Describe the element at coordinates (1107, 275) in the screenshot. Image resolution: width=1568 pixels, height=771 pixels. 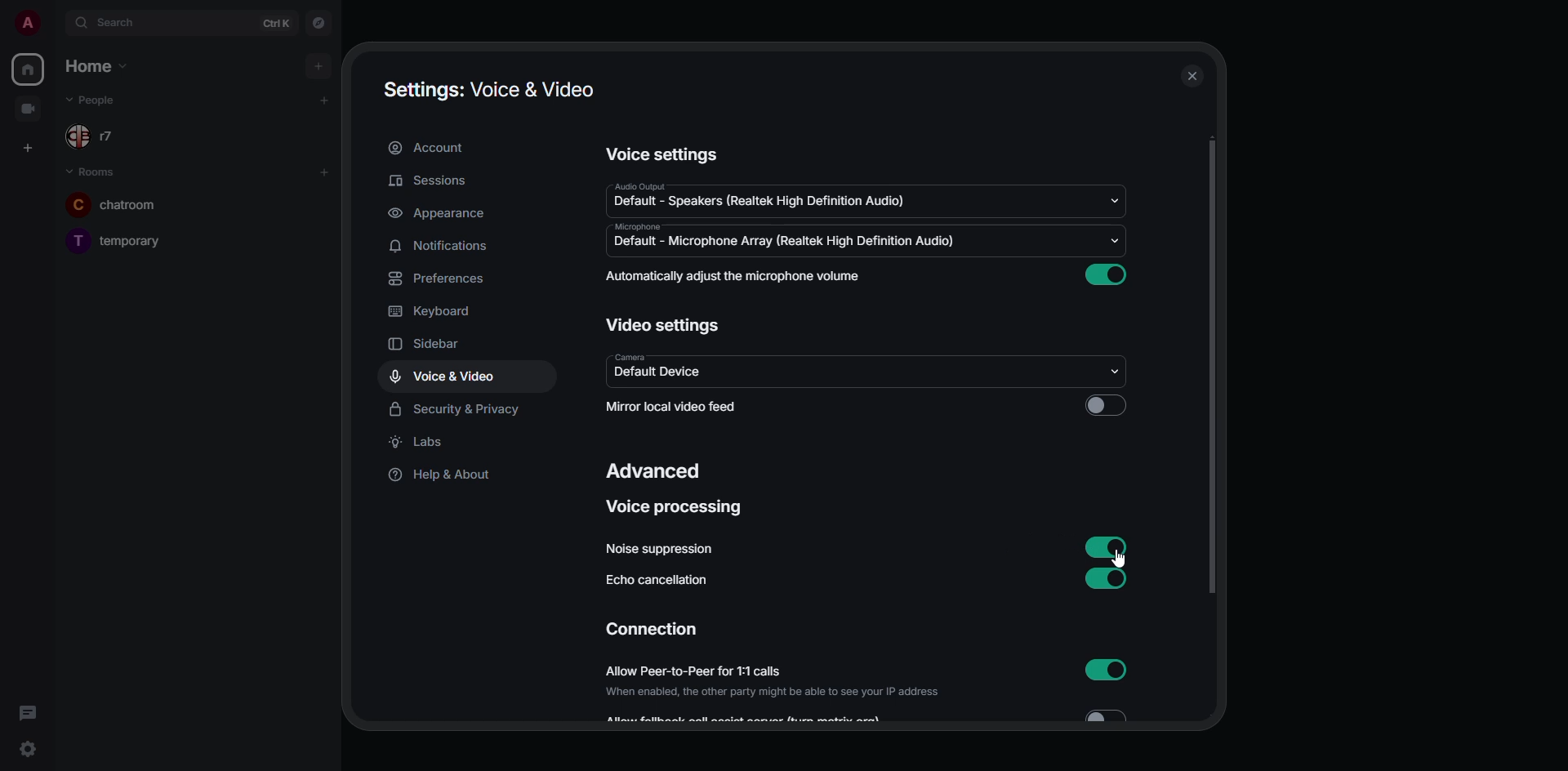
I see `enabled` at that location.